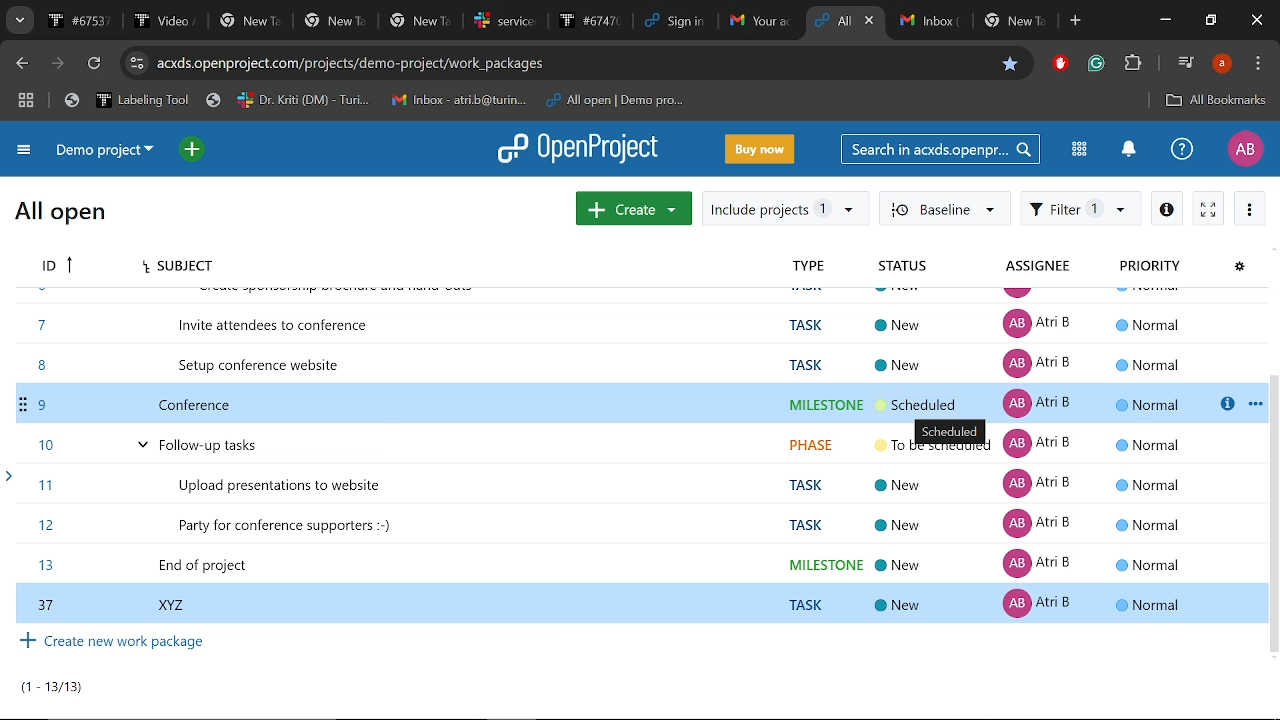  I want to click on Close, so click(1258, 20).